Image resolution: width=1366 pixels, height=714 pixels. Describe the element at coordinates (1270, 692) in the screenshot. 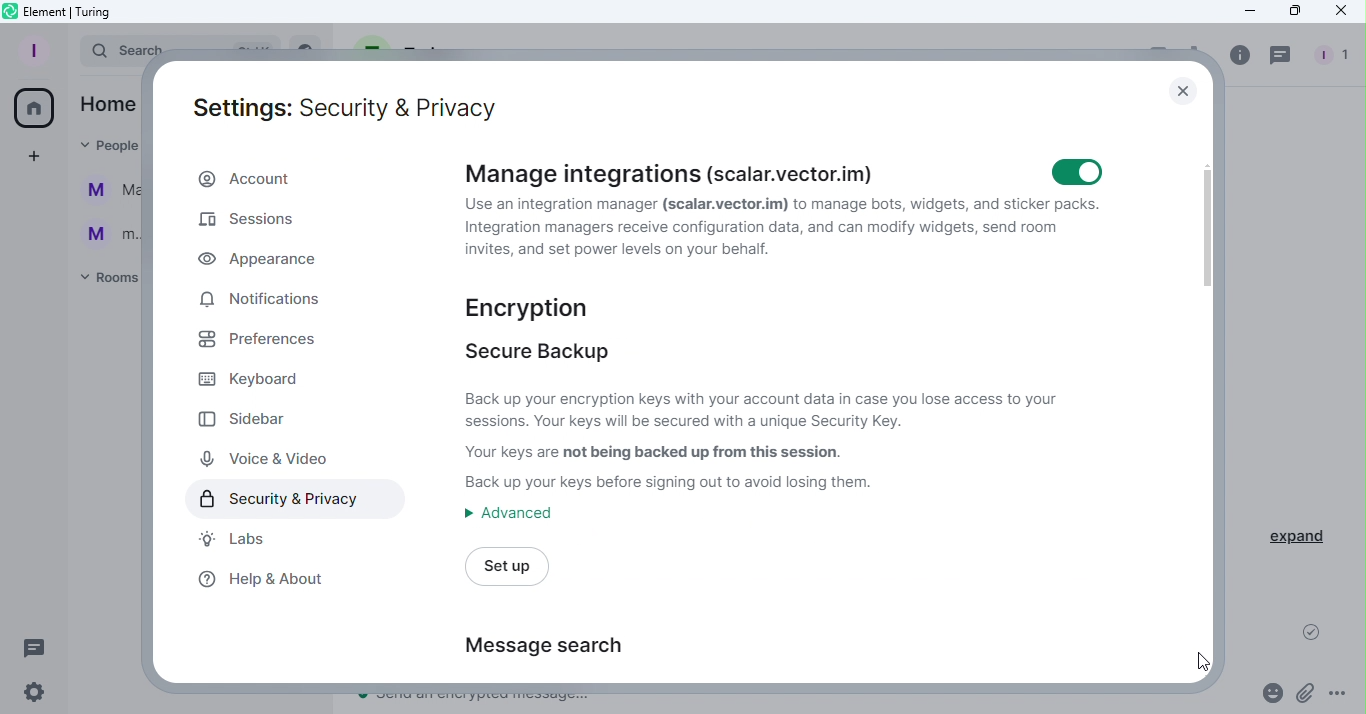

I see `Emoji` at that location.